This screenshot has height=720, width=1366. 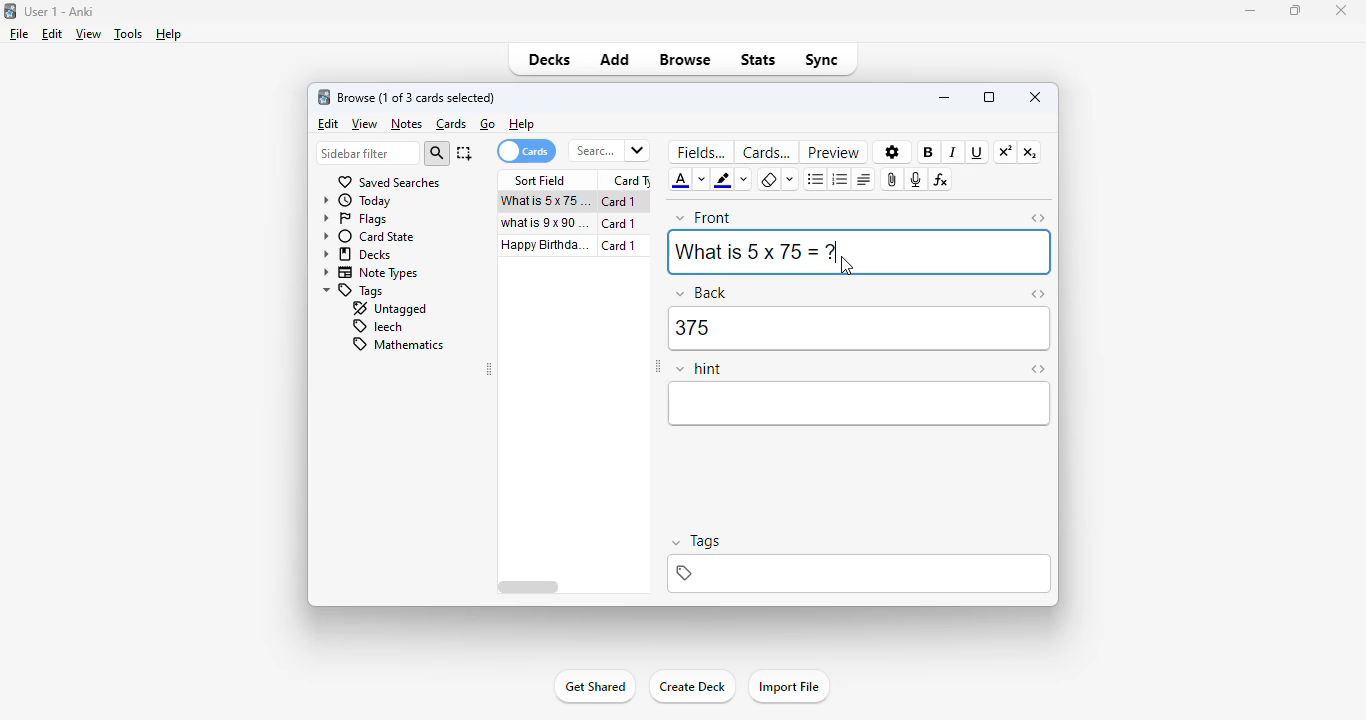 I want to click on What is 5 x 75=?, so click(x=752, y=251).